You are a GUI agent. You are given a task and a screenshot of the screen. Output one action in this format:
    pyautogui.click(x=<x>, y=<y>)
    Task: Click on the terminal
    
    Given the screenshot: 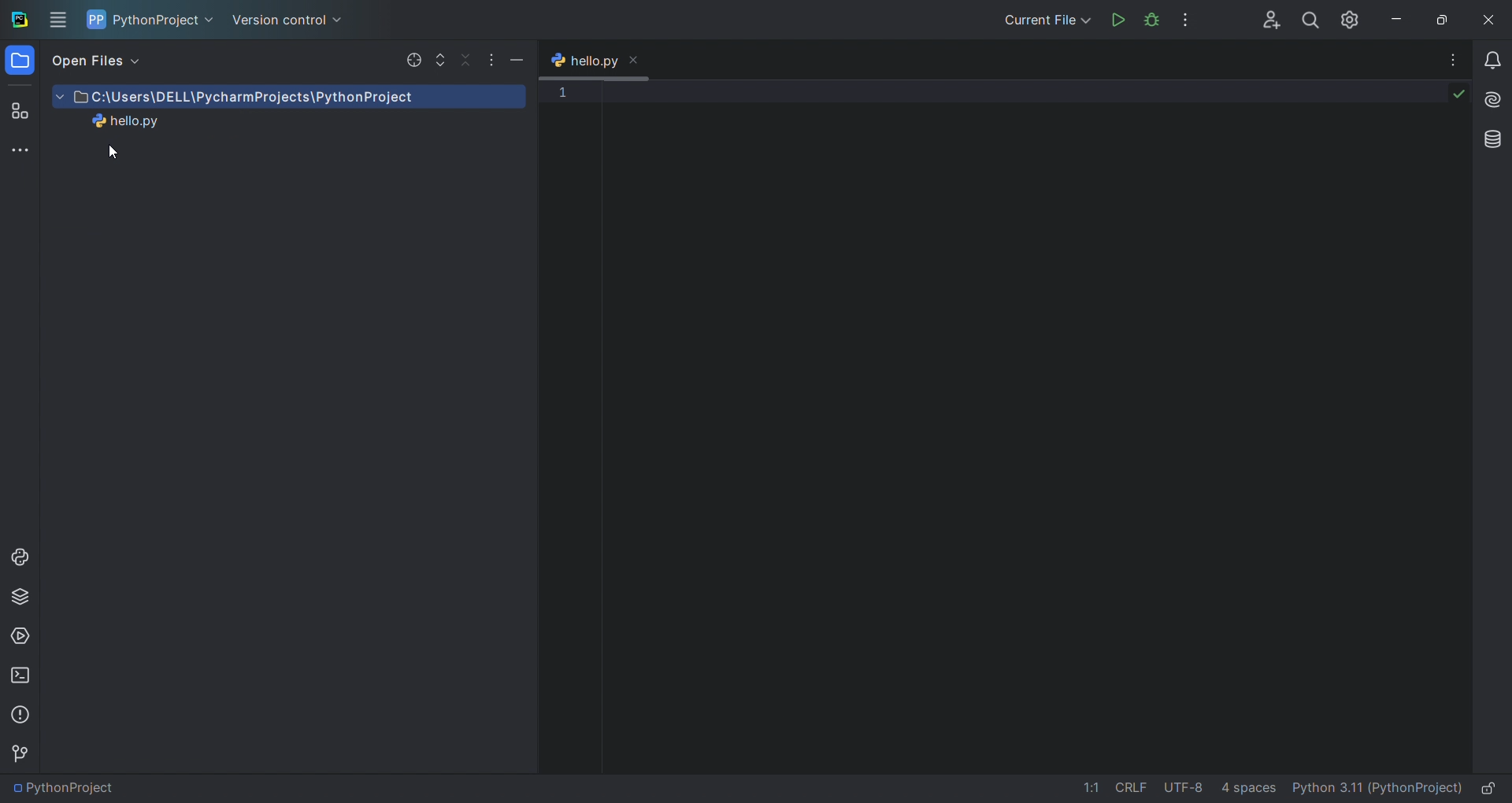 What is the action you would take?
    pyautogui.click(x=20, y=679)
    